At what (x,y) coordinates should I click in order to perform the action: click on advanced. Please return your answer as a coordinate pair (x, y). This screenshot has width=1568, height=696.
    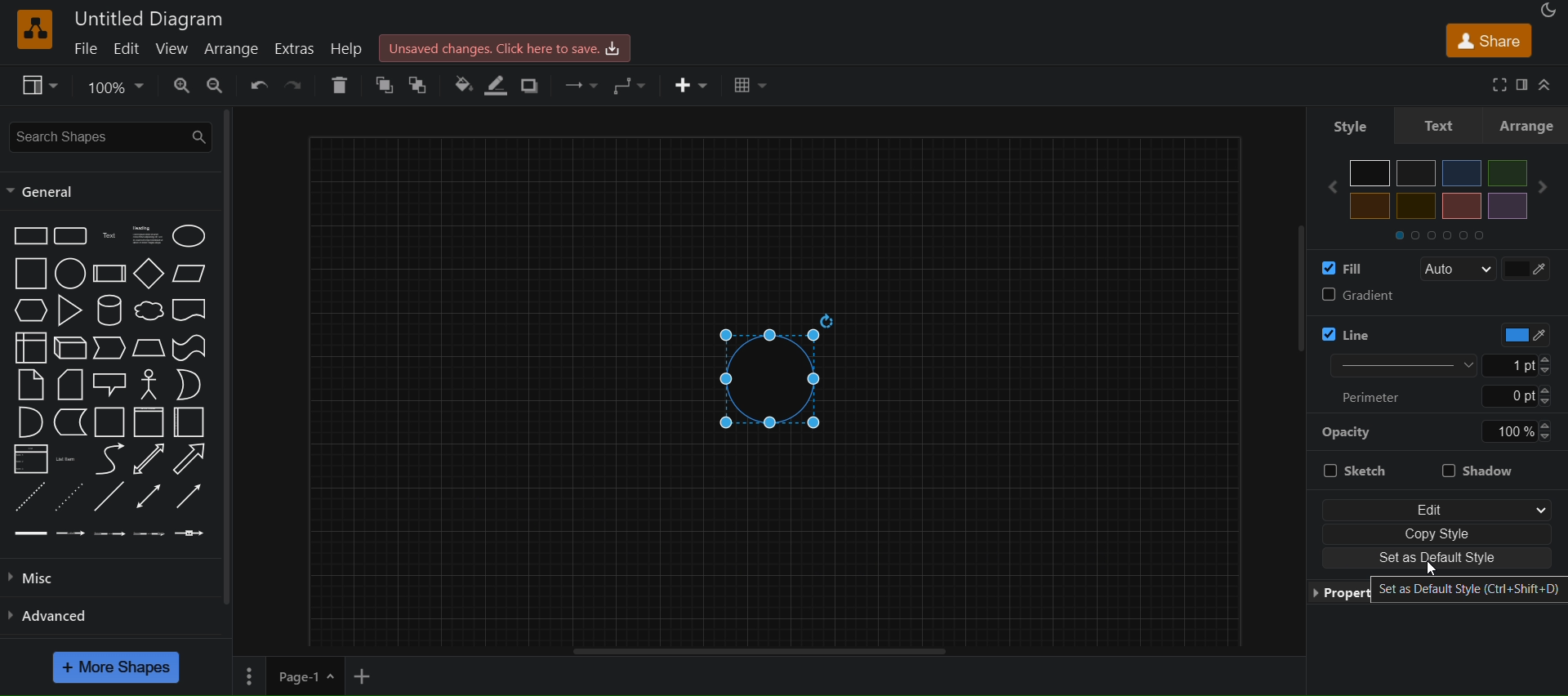
    Looking at the image, I should click on (57, 613).